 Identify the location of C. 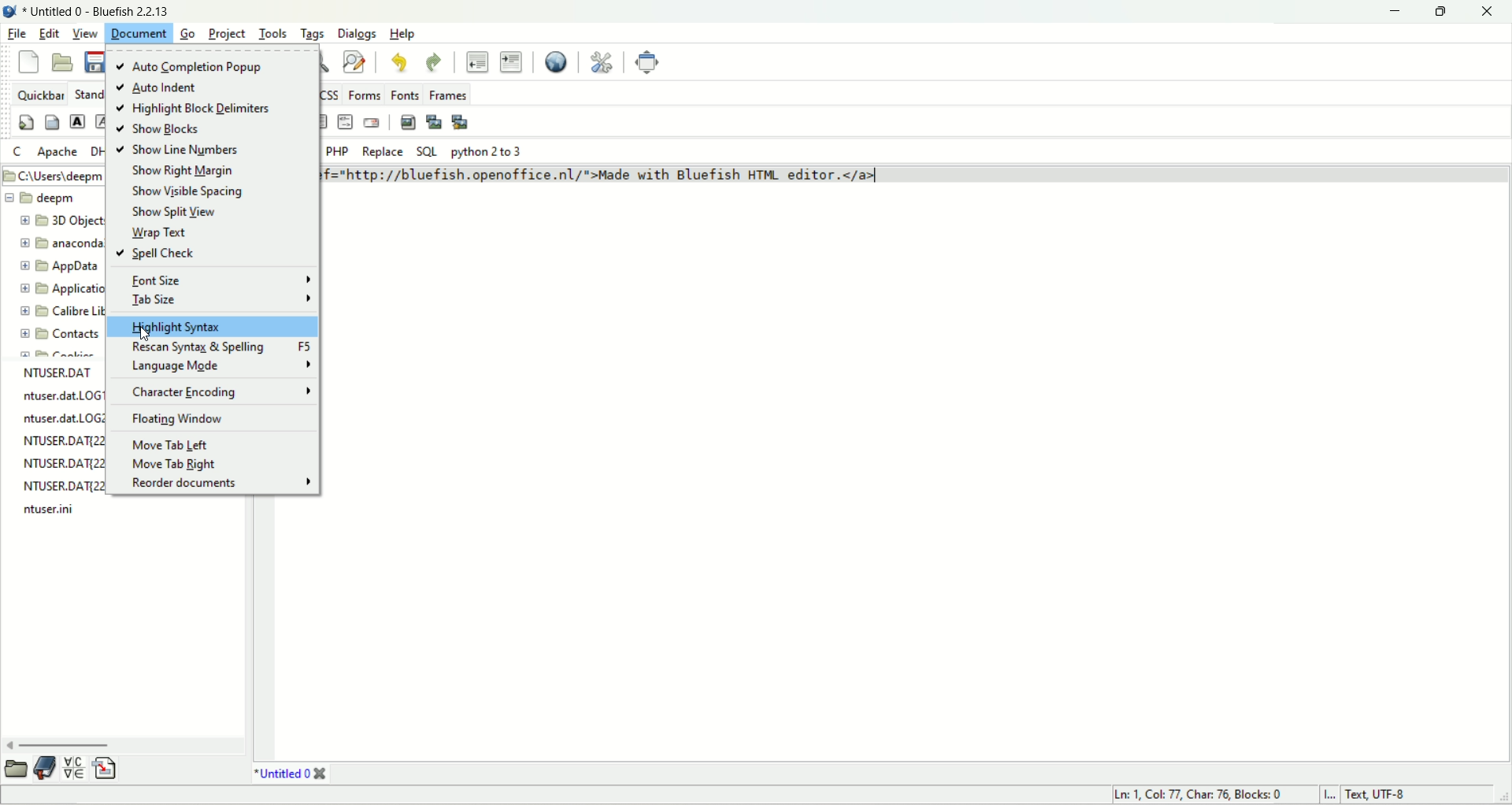
(20, 152).